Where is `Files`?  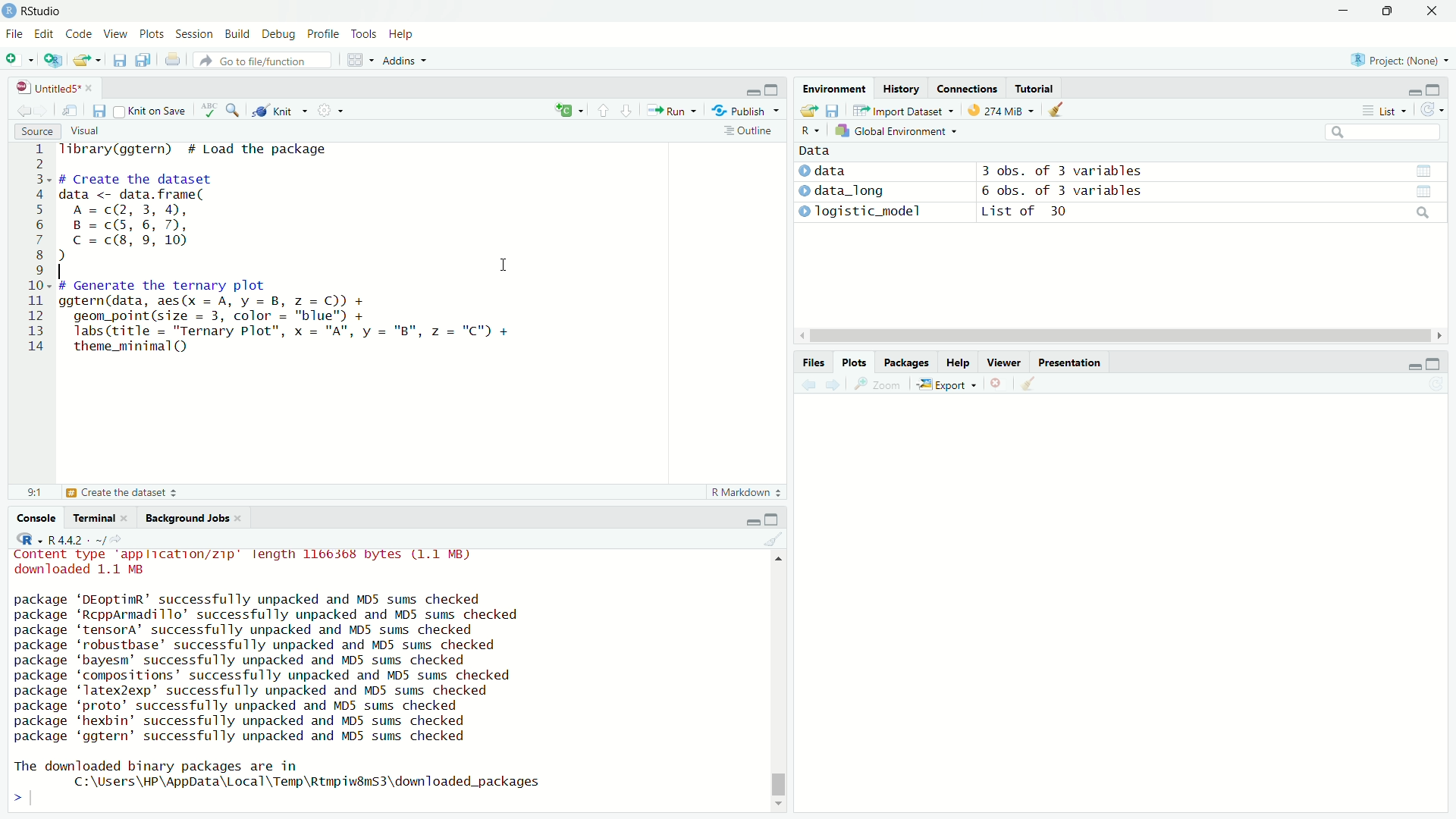 Files is located at coordinates (805, 360).